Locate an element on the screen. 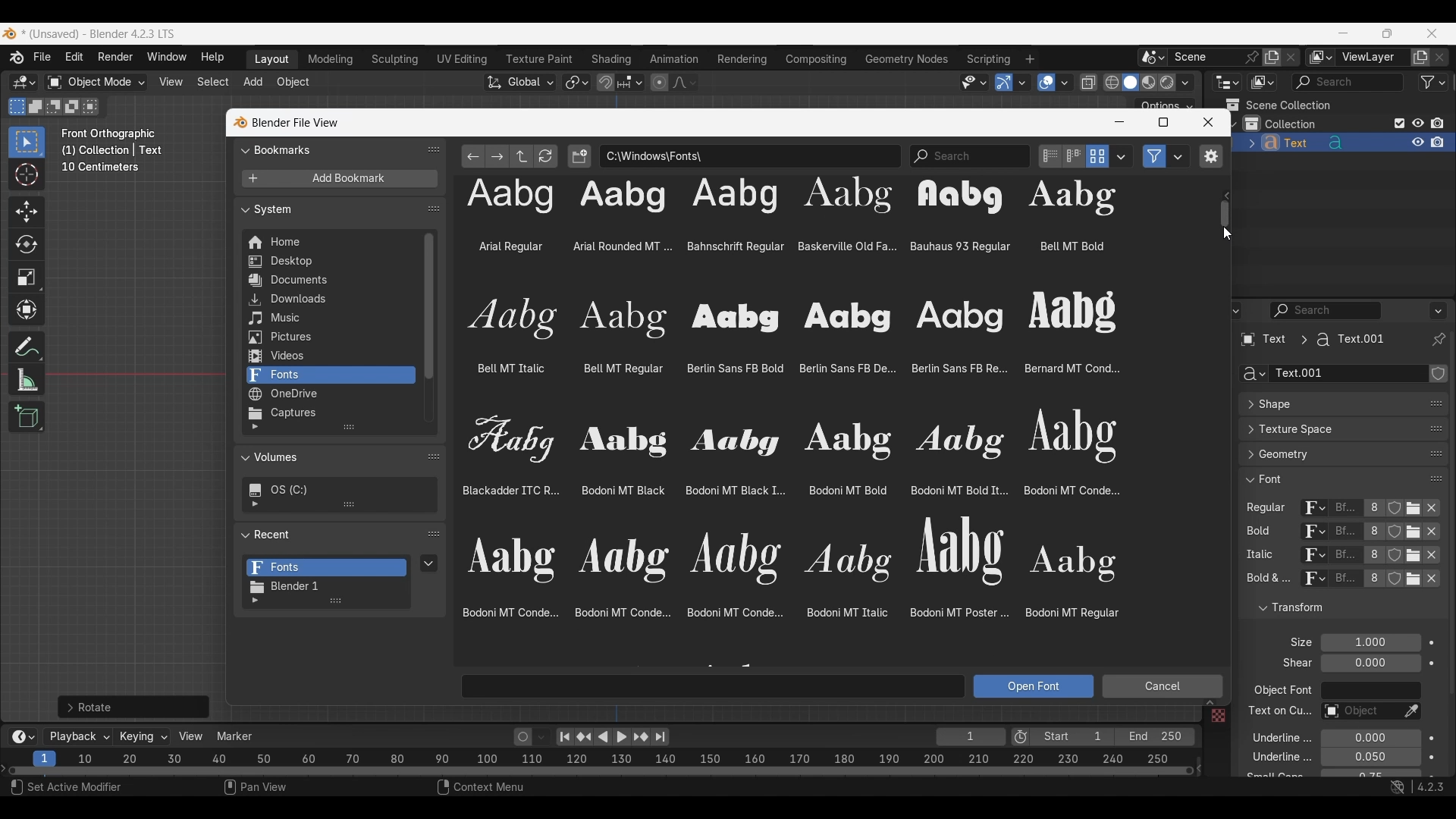 This screenshot has width=1456, height=819. Minimize is located at coordinates (1119, 122).